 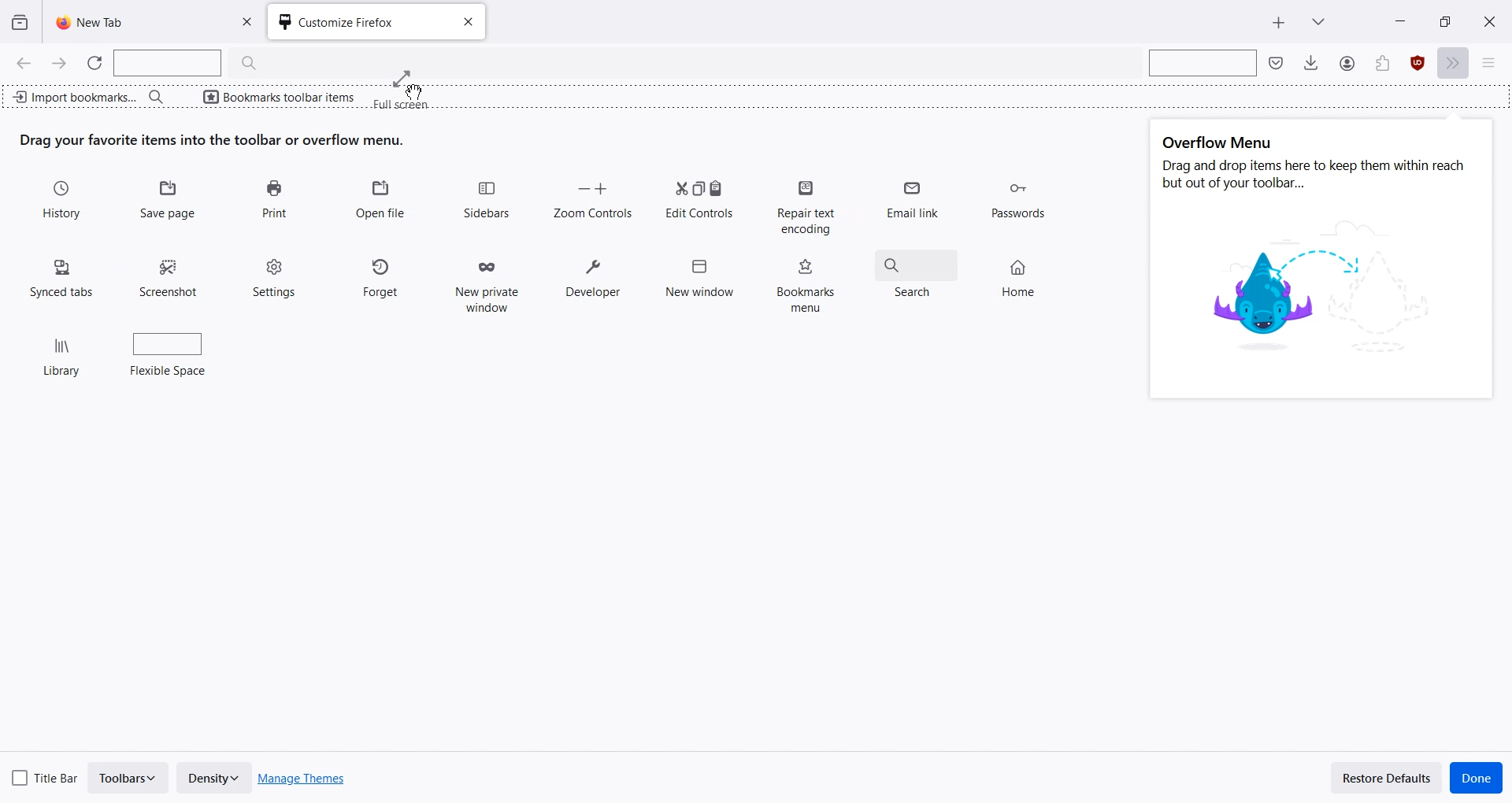 I want to click on New Tab, so click(x=134, y=22).